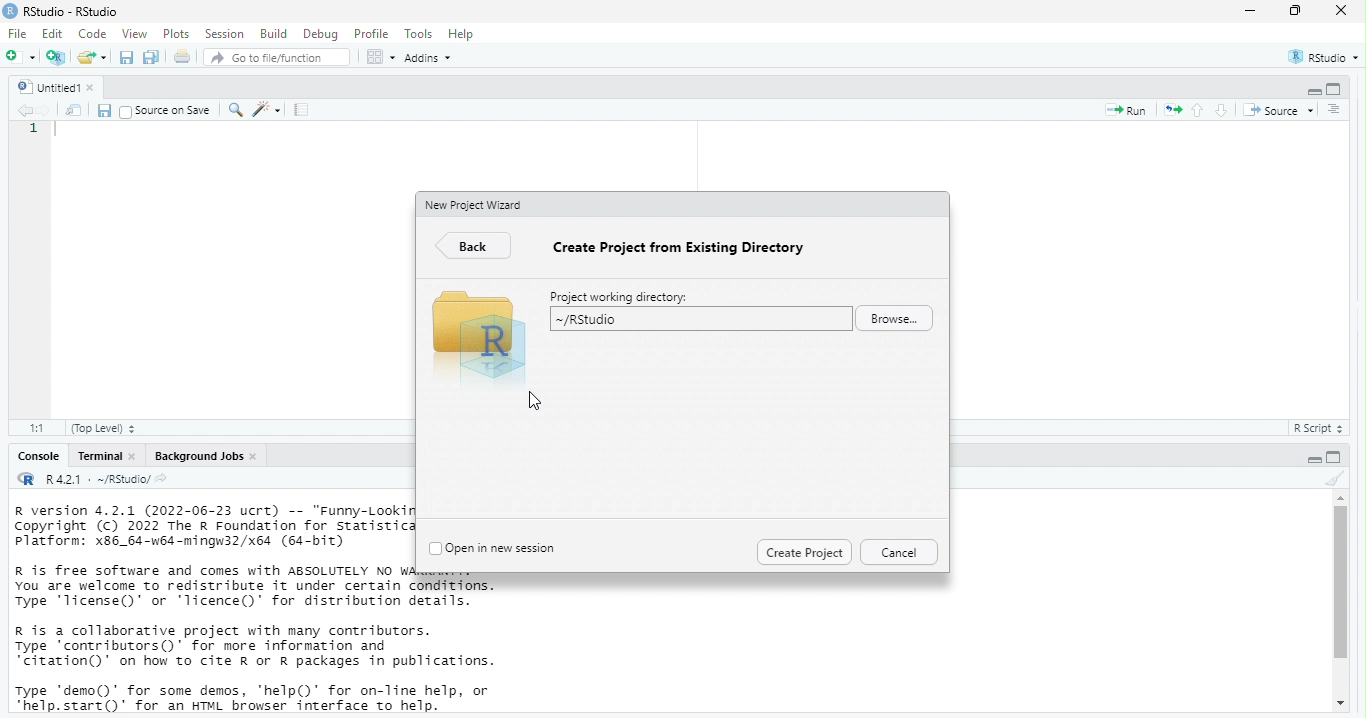 The width and height of the screenshot is (1366, 718). Describe the element at coordinates (100, 87) in the screenshot. I see `close` at that location.